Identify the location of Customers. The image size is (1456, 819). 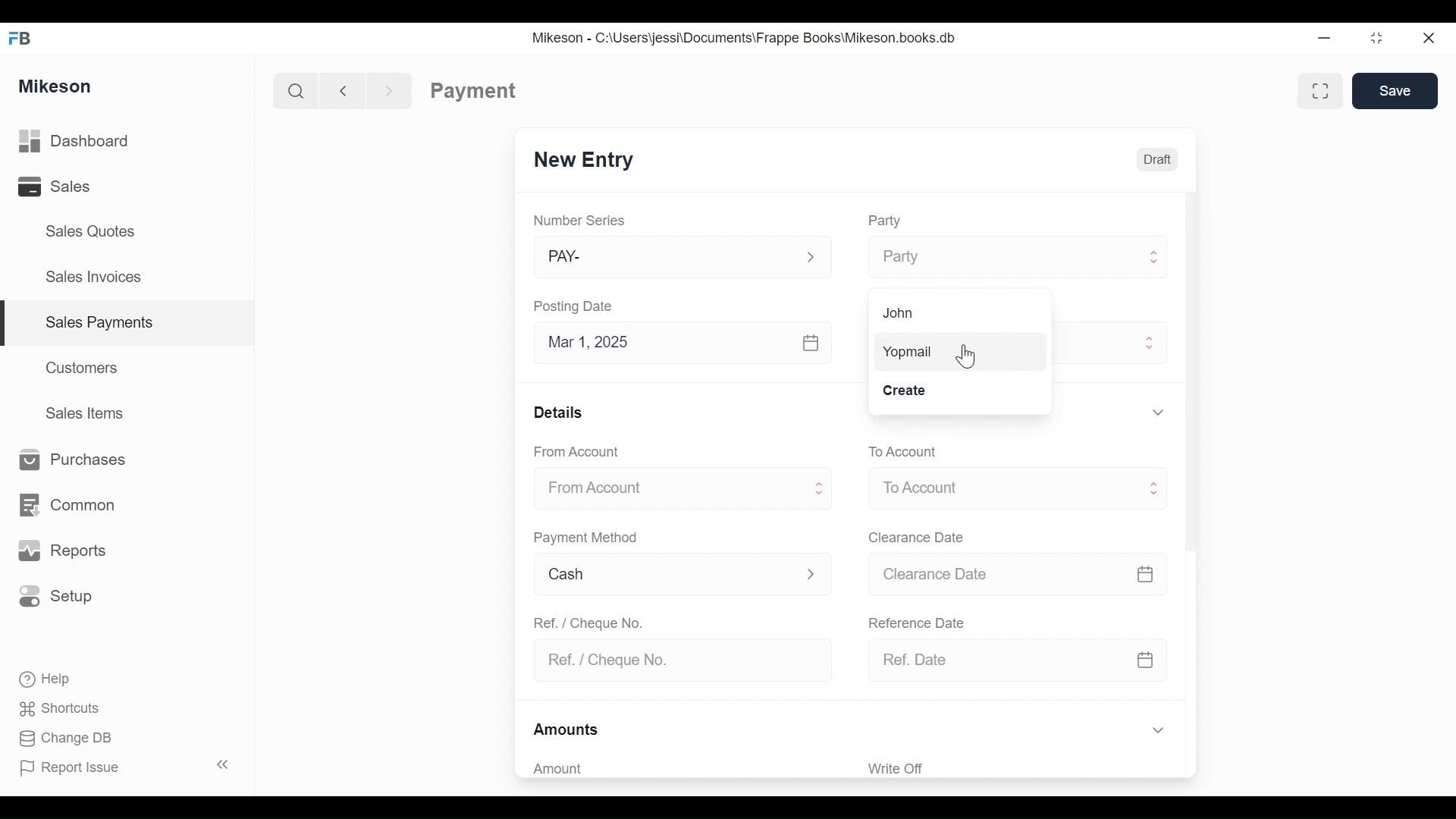
(86, 366).